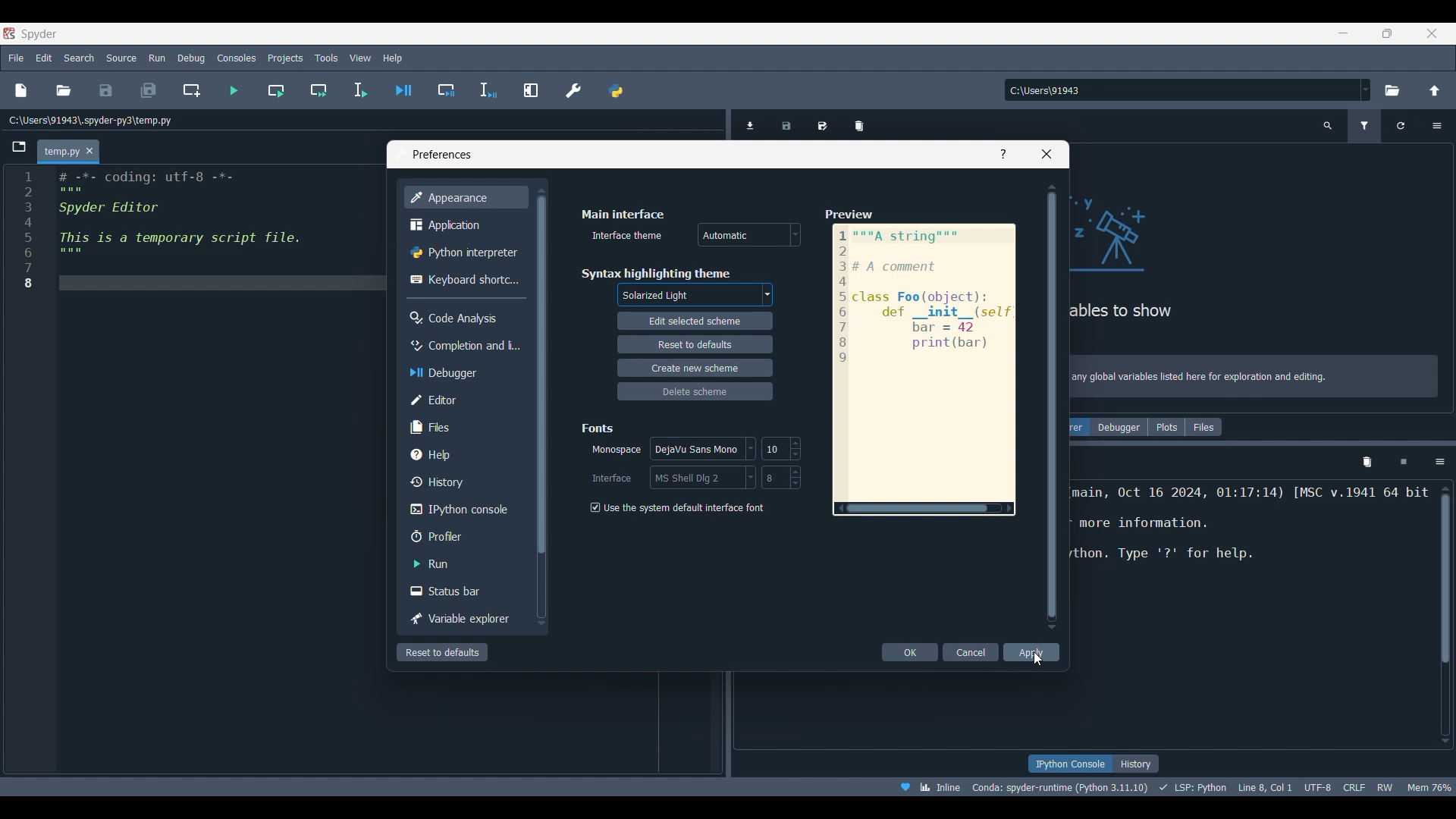 The height and width of the screenshot is (819, 1456). What do you see at coordinates (19, 147) in the screenshot?
I see `Browse tabs` at bounding box center [19, 147].